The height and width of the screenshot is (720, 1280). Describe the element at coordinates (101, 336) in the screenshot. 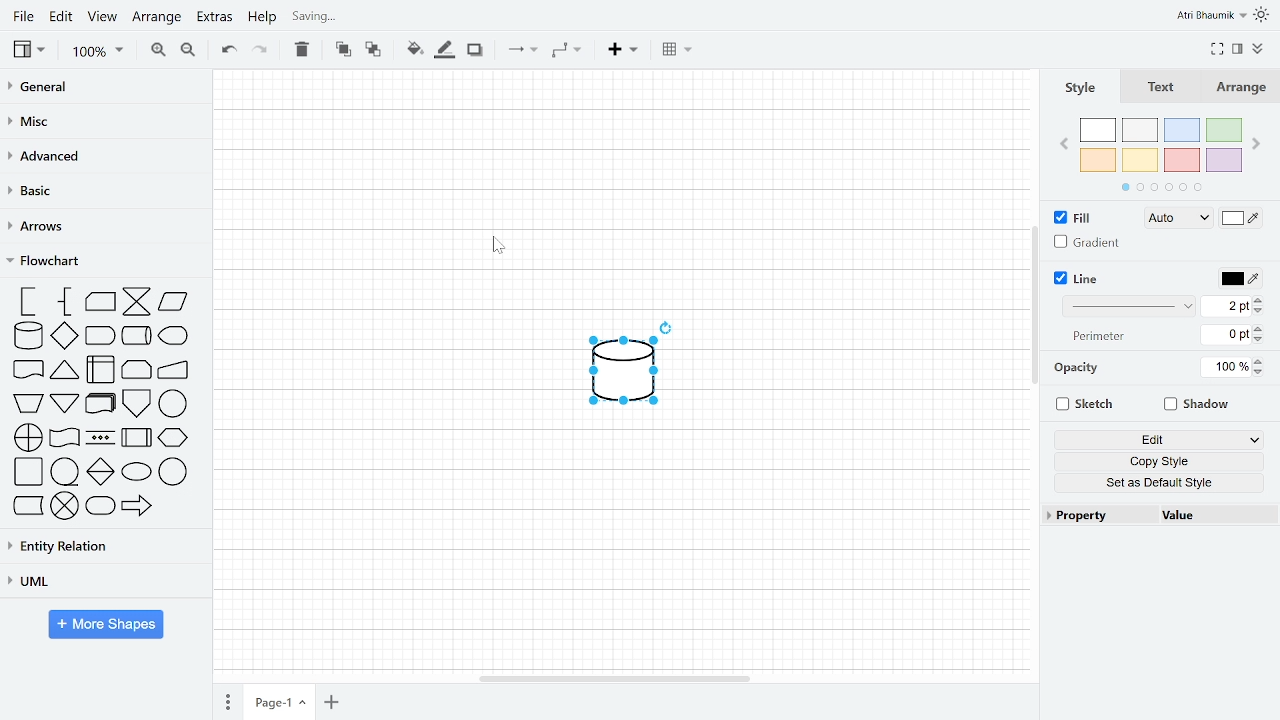

I see `delay` at that location.